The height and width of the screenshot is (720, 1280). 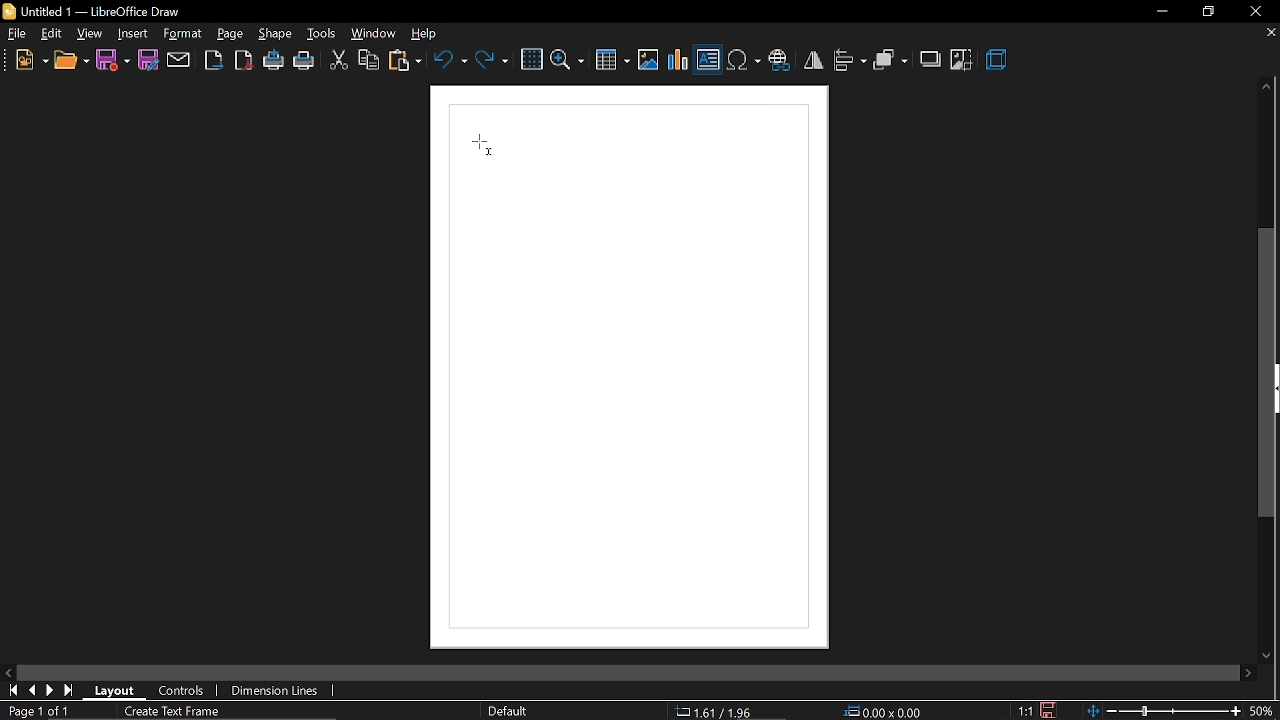 What do you see at coordinates (182, 692) in the screenshot?
I see `controls` at bounding box center [182, 692].